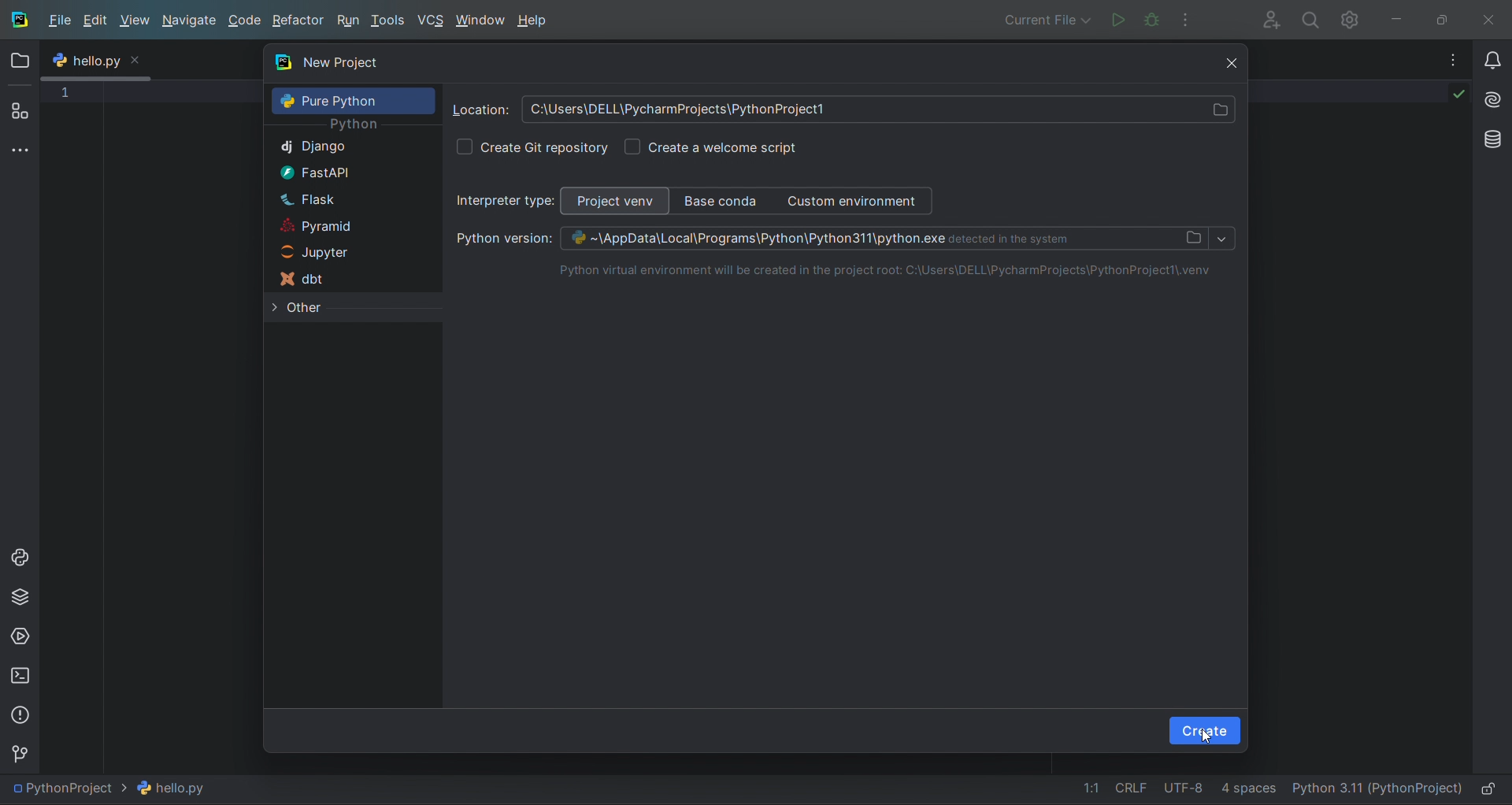  Describe the element at coordinates (246, 22) in the screenshot. I see `code` at that location.